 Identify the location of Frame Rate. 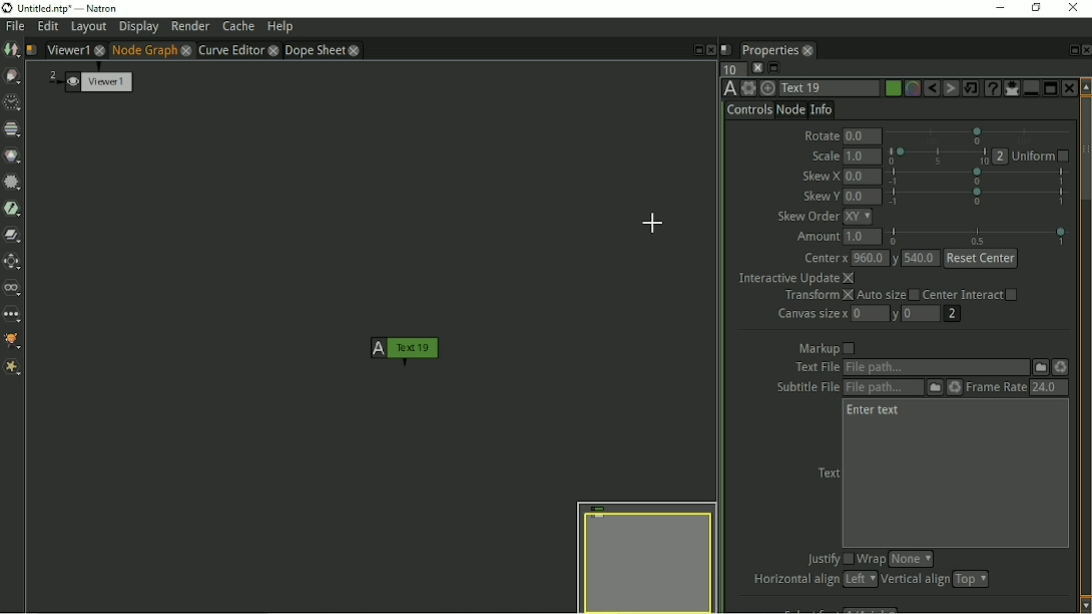
(996, 388).